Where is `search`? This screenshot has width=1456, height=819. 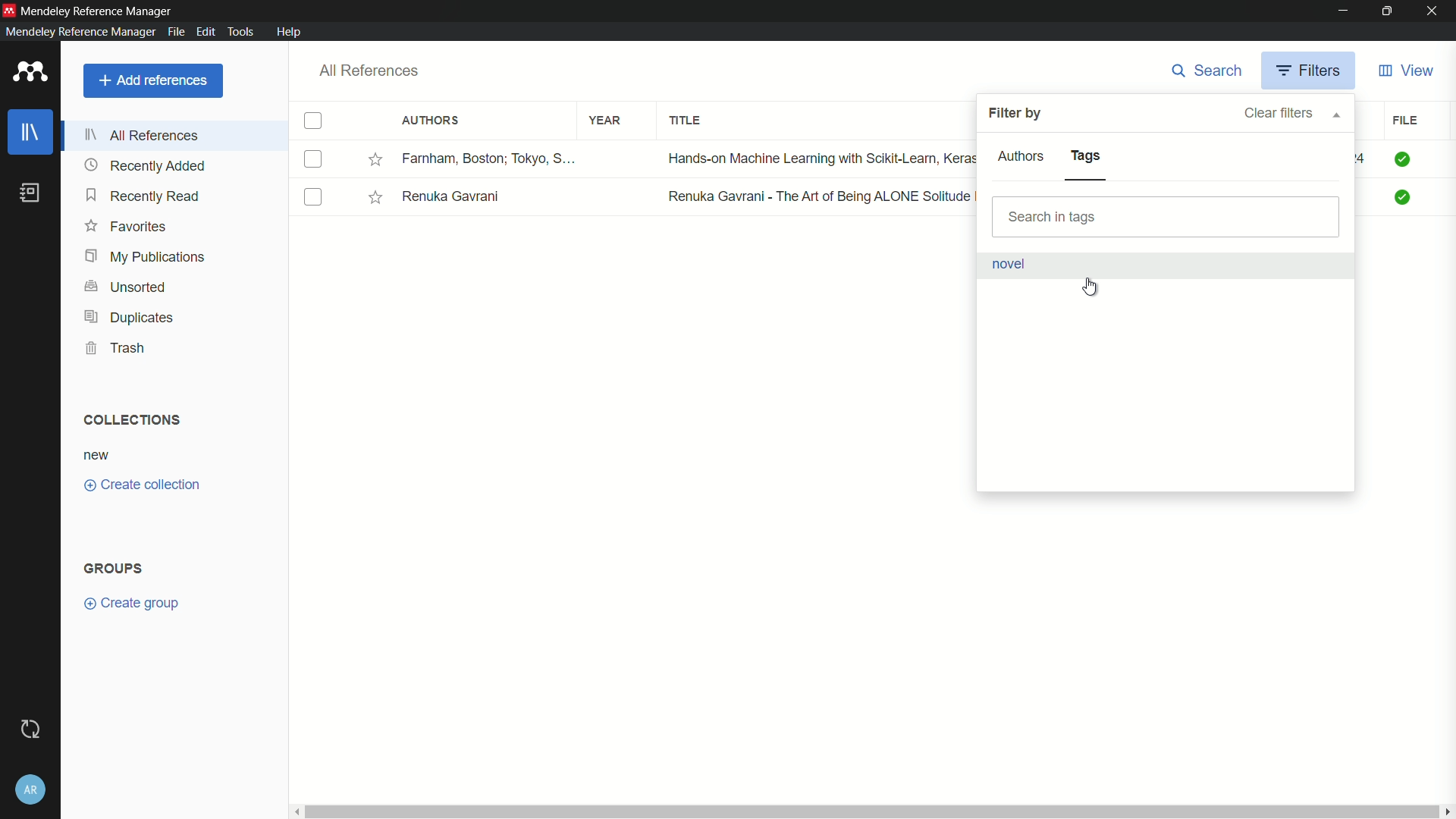 search is located at coordinates (1209, 71).